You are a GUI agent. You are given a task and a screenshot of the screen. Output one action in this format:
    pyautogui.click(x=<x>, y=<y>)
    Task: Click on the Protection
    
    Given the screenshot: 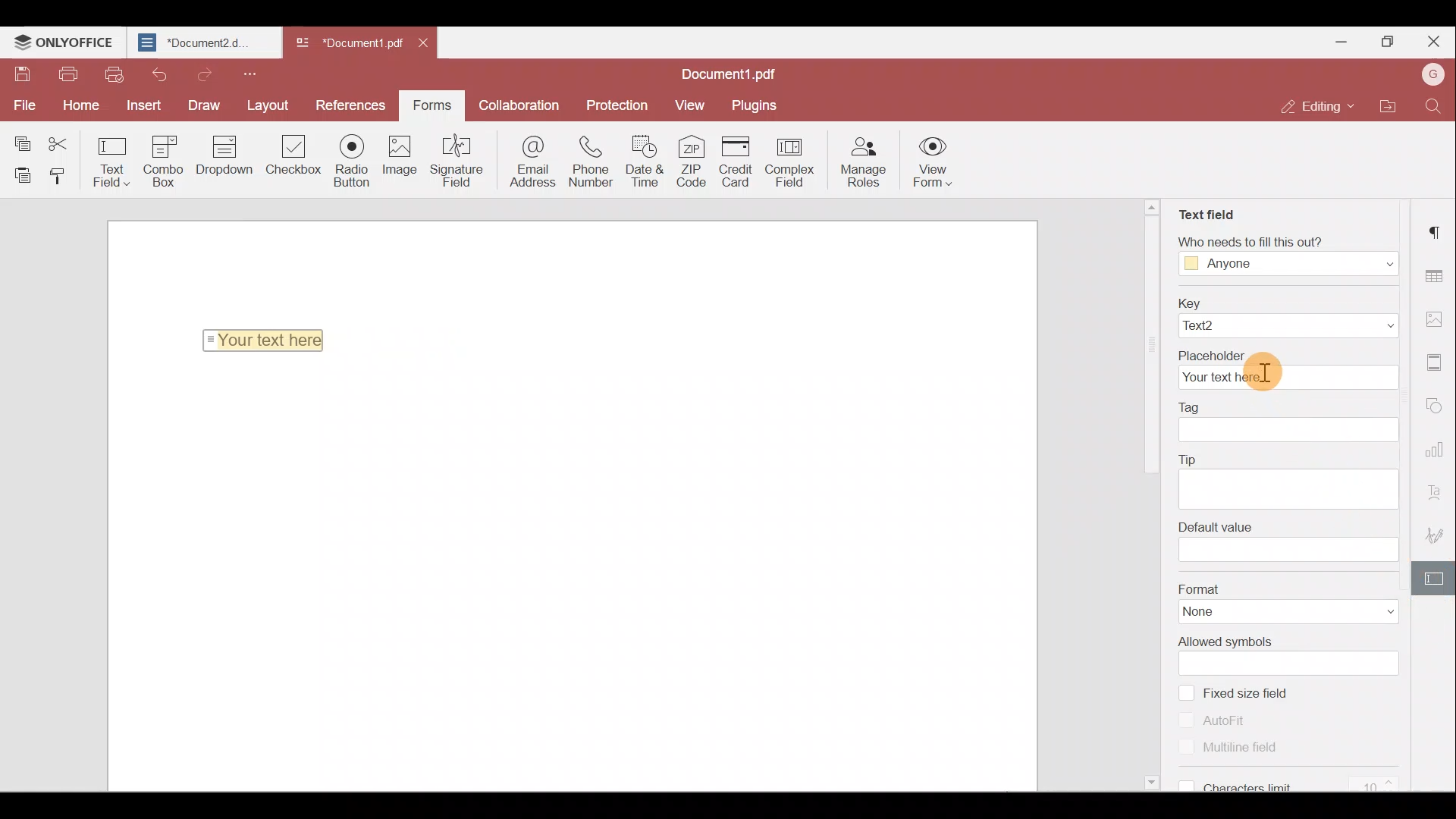 What is the action you would take?
    pyautogui.click(x=622, y=104)
    